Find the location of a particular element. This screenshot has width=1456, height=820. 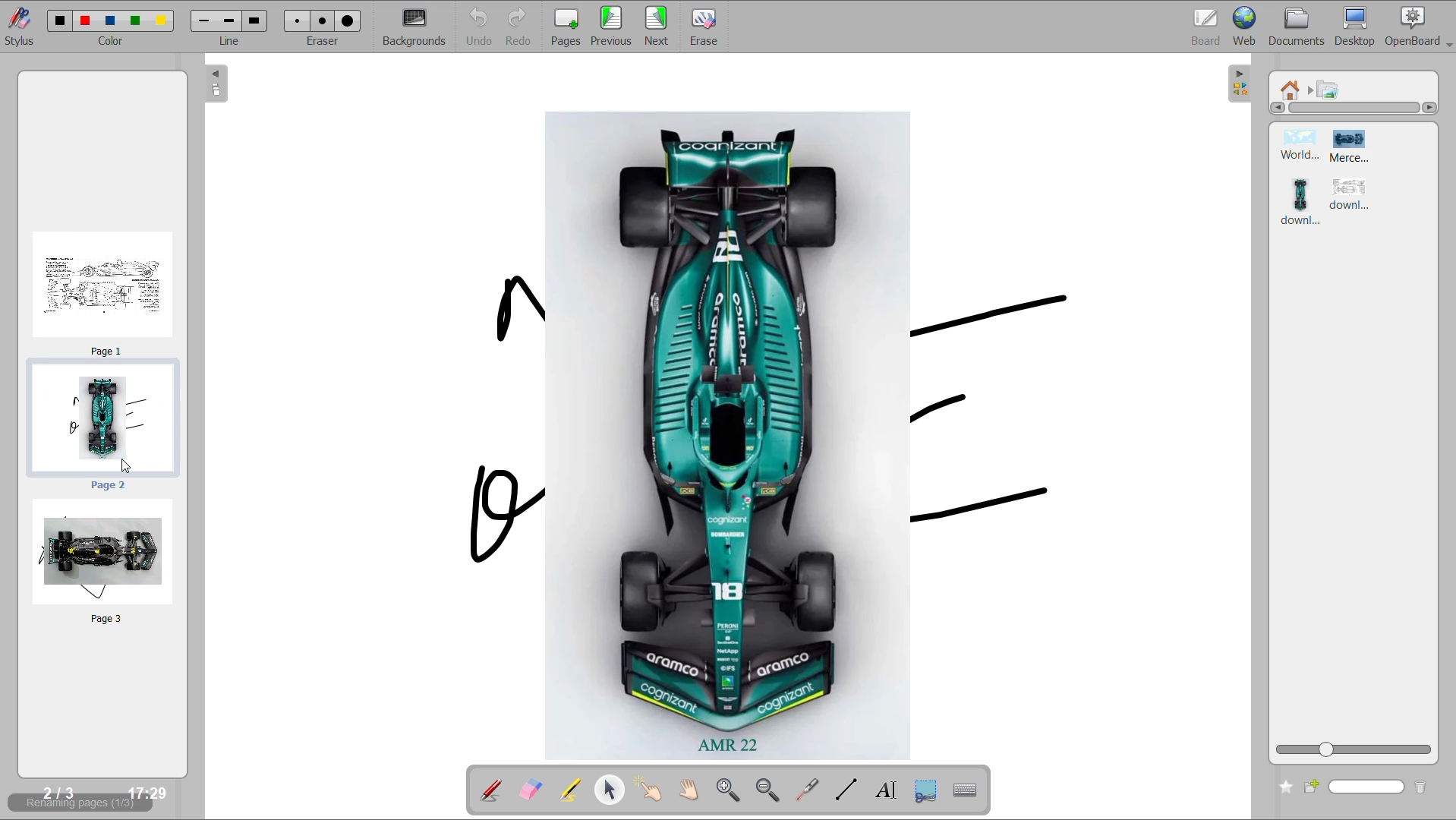

horizontal scroll bar is located at coordinates (1355, 109).